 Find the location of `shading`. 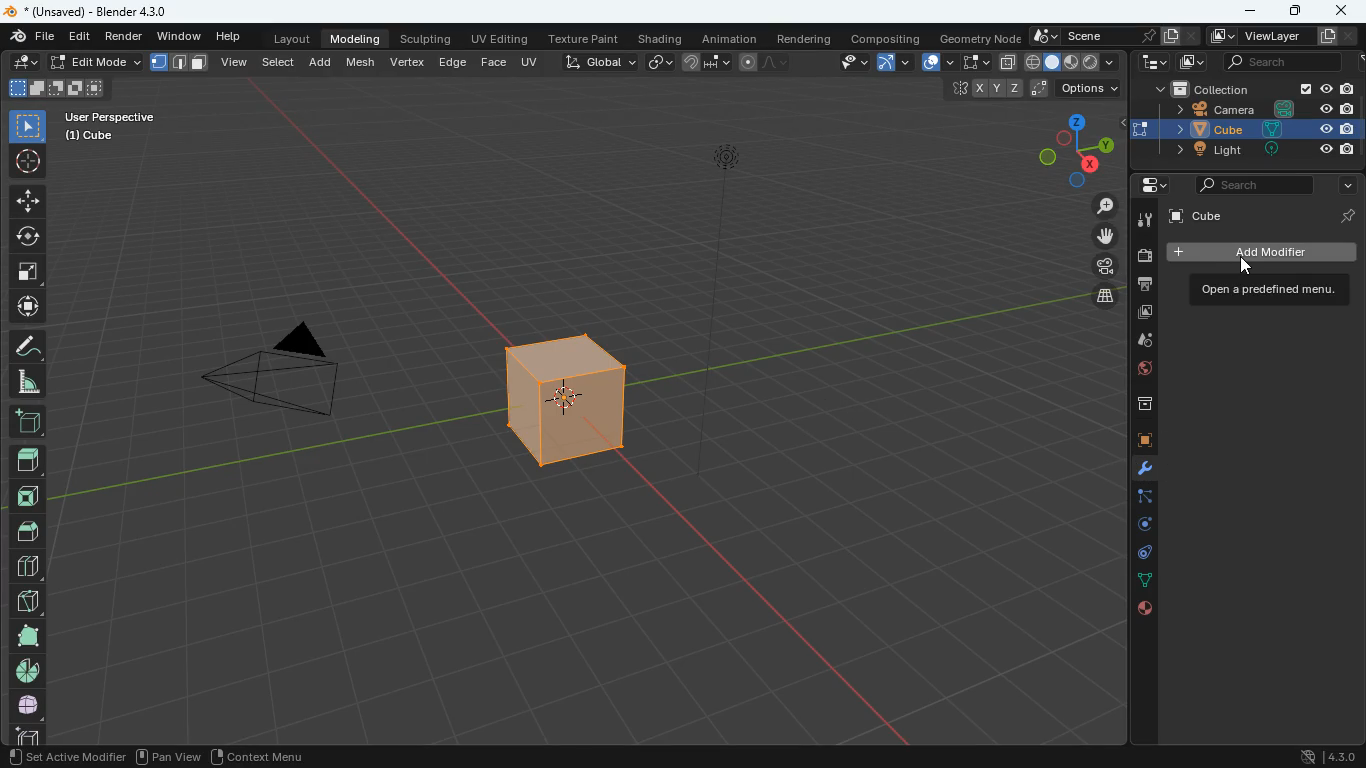

shading is located at coordinates (662, 37).